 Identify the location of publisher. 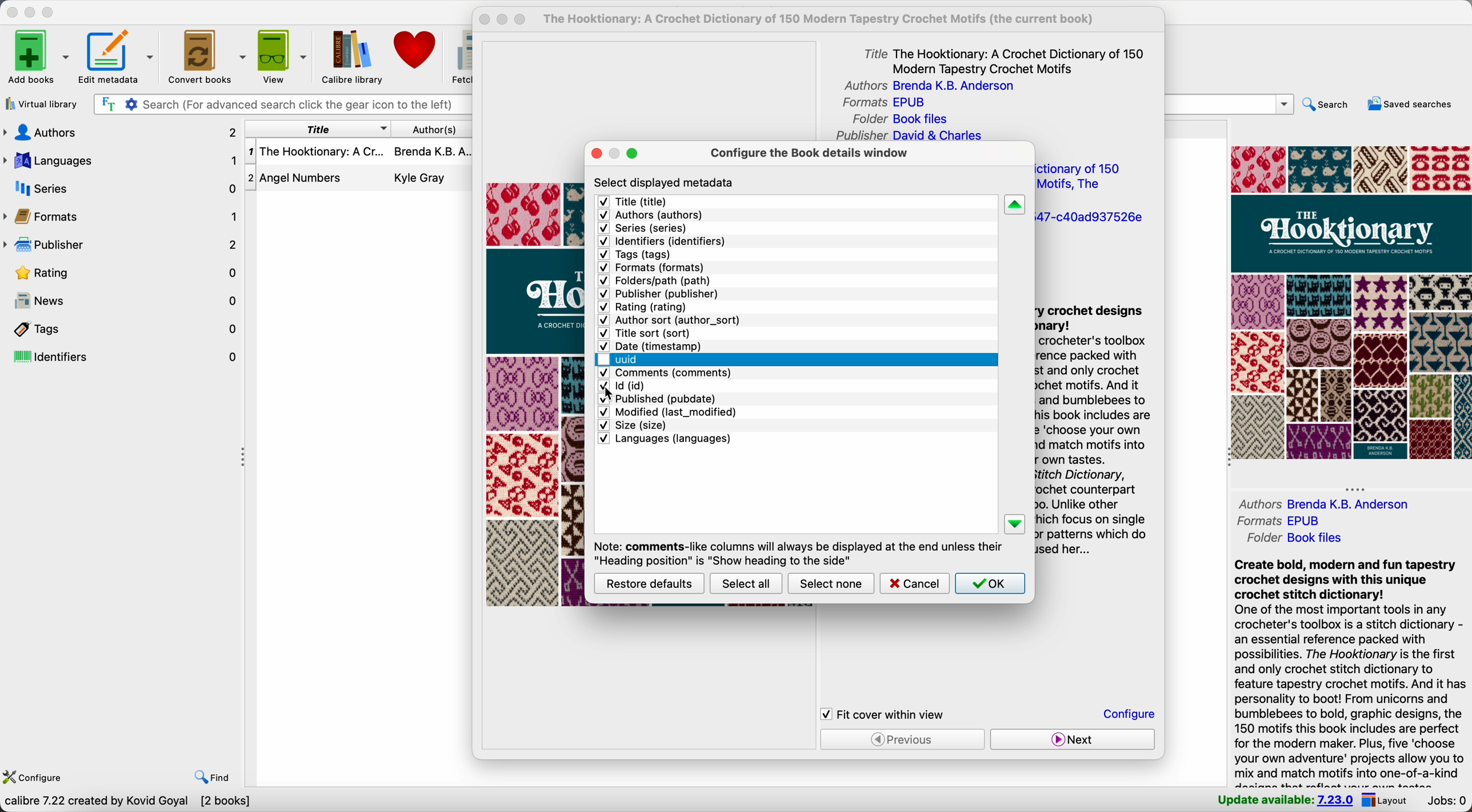
(908, 136).